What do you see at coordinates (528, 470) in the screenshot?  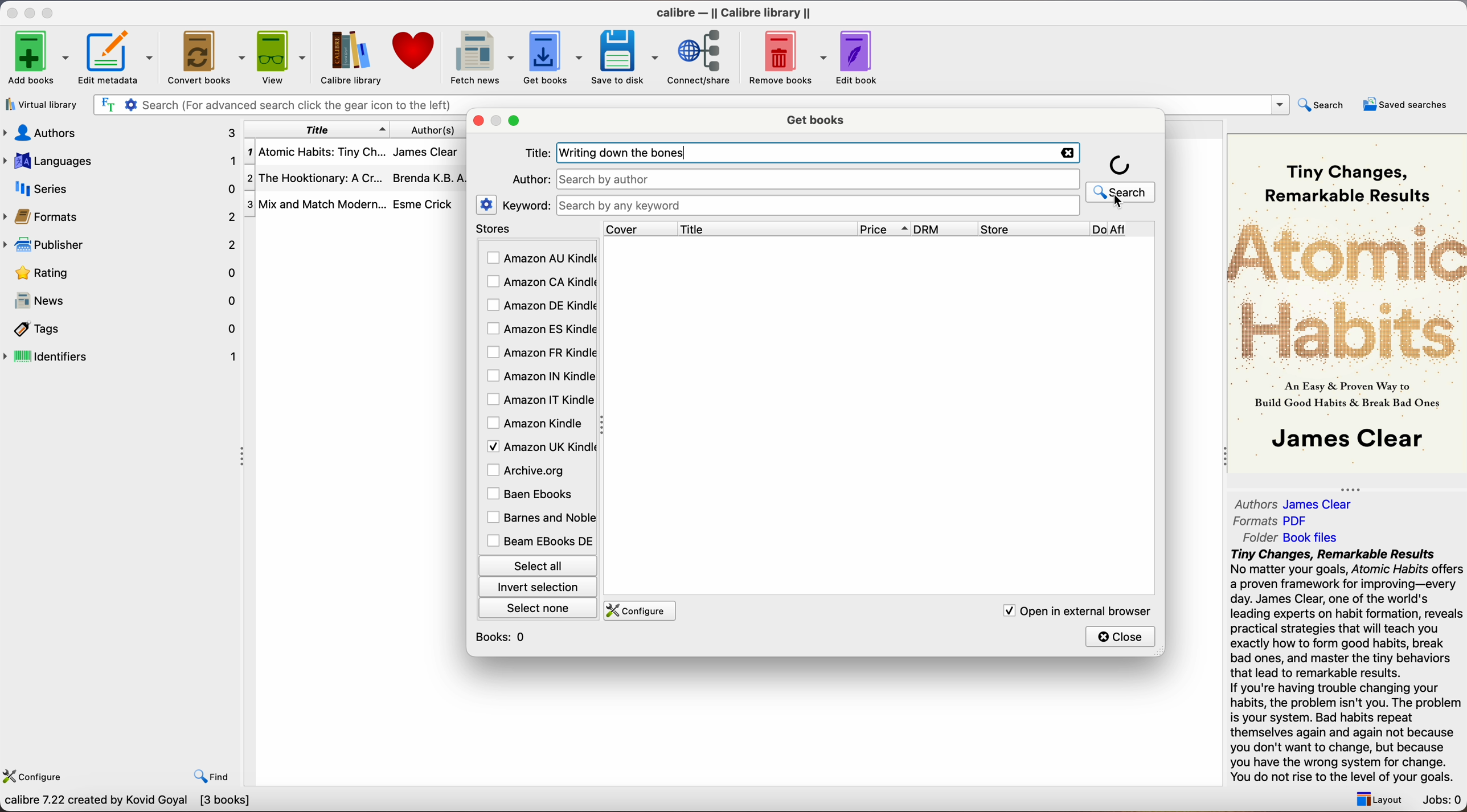 I see `archieve.org` at bounding box center [528, 470].